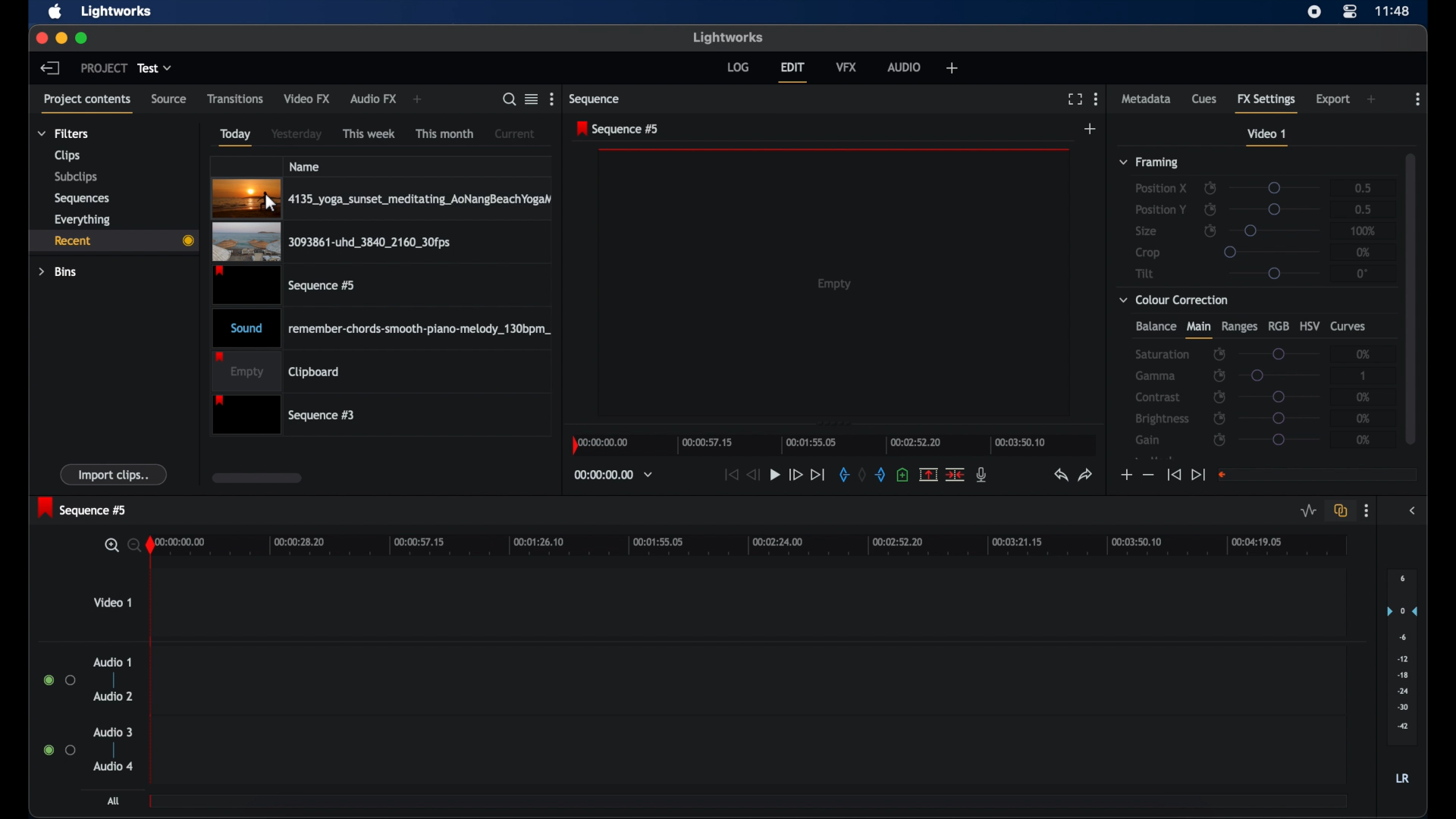 This screenshot has width=1456, height=819. What do you see at coordinates (1318, 474) in the screenshot?
I see `empty field` at bounding box center [1318, 474].